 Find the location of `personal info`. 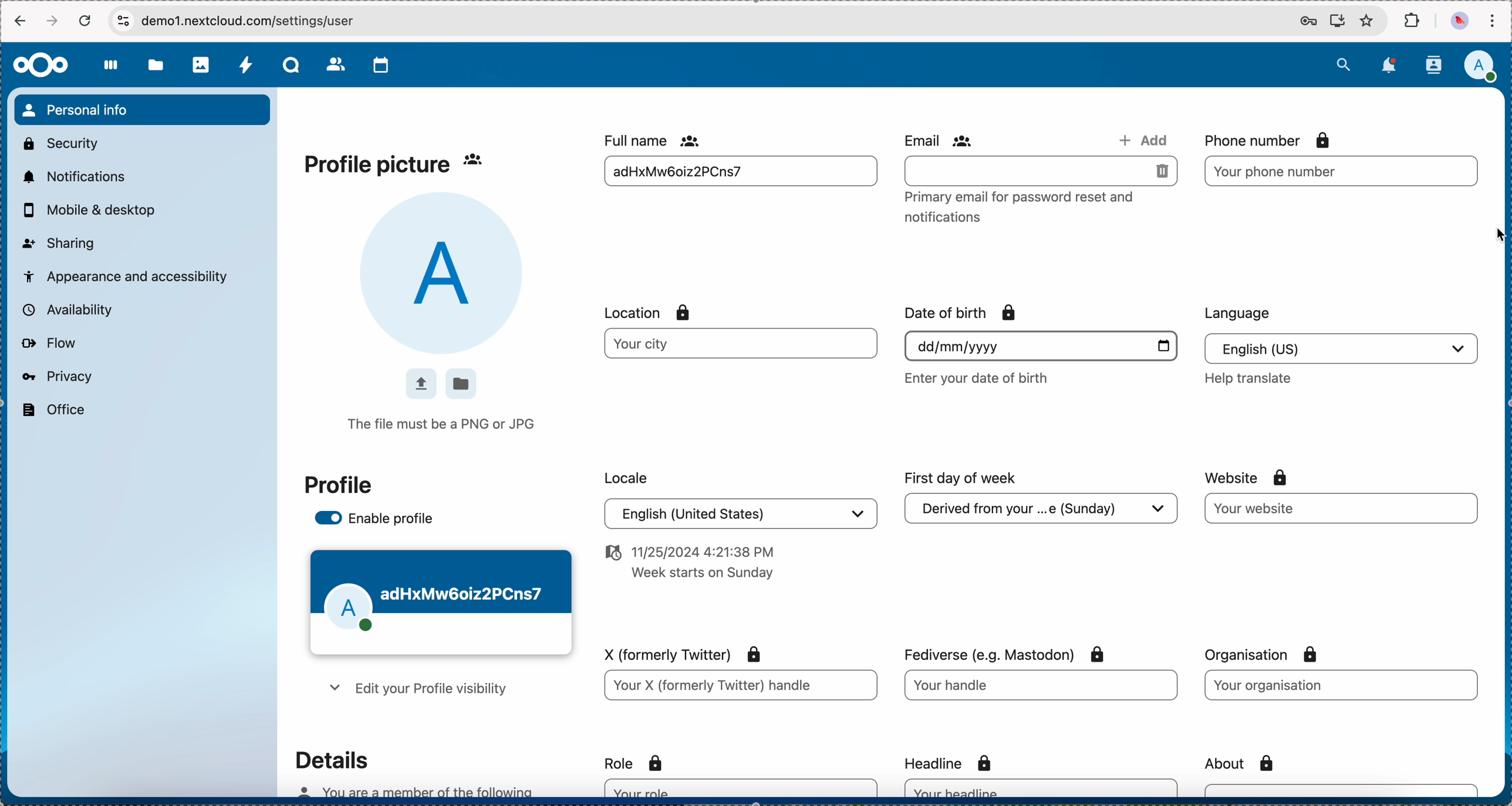

personal info is located at coordinates (141, 110).